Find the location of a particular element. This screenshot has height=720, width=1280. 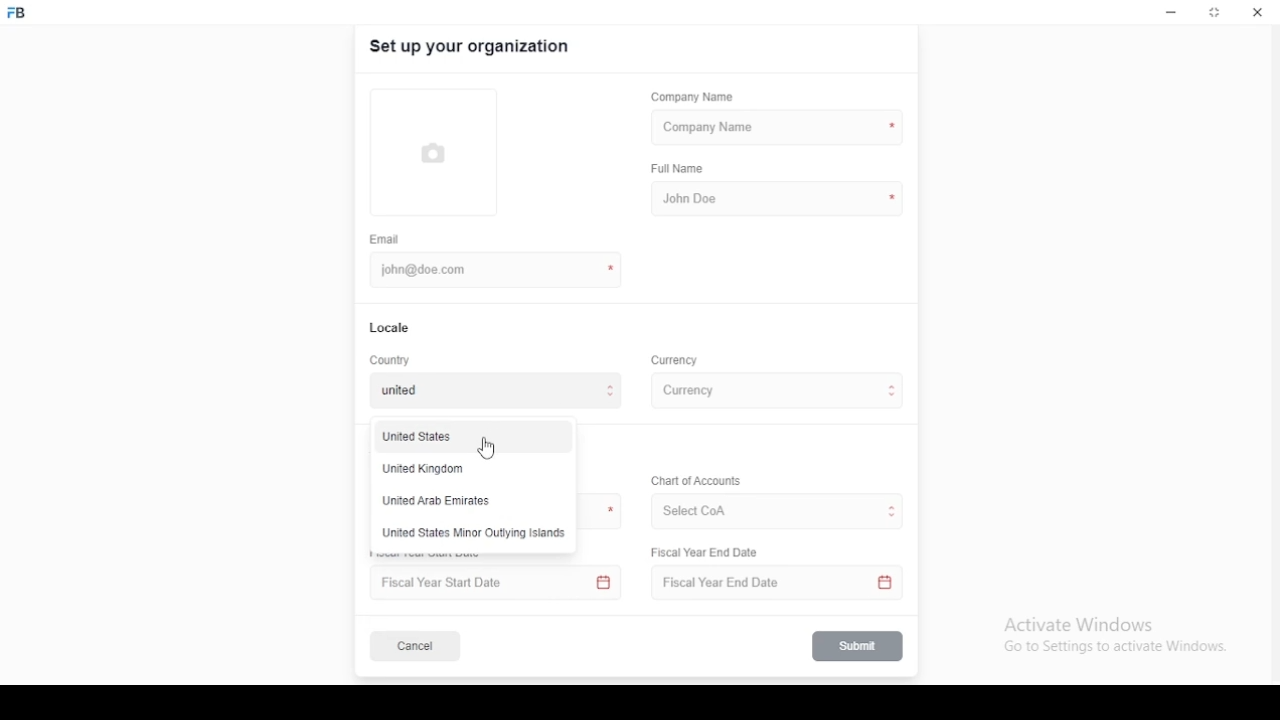

United States Minor Outlying Isiands is located at coordinates (474, 534).